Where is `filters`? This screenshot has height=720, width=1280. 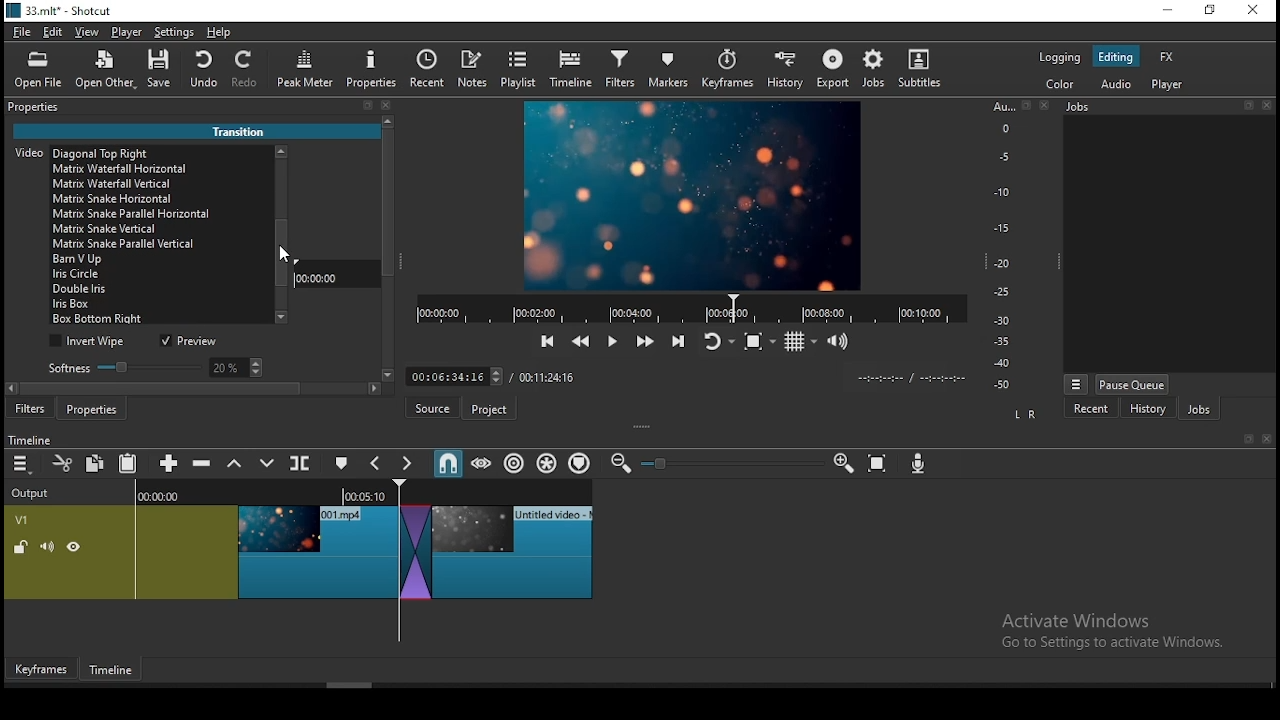
filters is located at coordinates (31, 410).